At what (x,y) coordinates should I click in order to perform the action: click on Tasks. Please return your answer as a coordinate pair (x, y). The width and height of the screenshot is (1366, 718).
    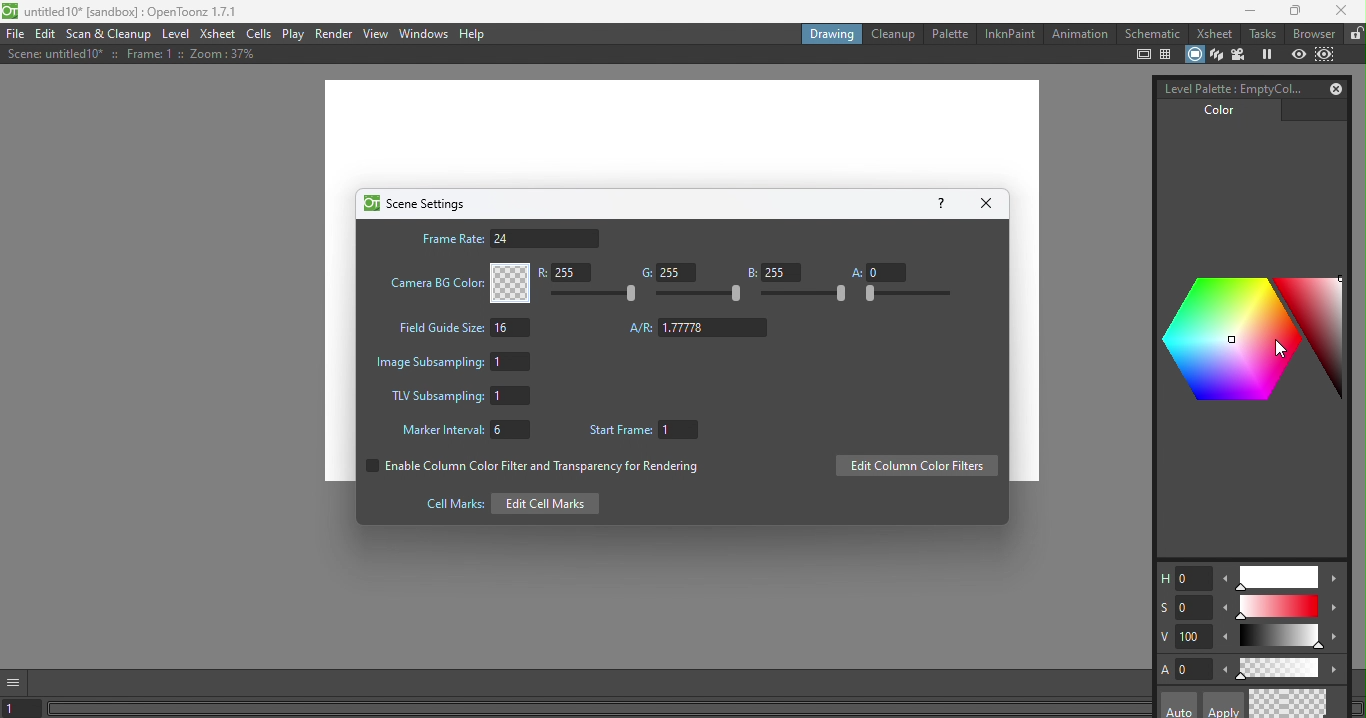
    Looking at the image, I should click on (1262, 34).